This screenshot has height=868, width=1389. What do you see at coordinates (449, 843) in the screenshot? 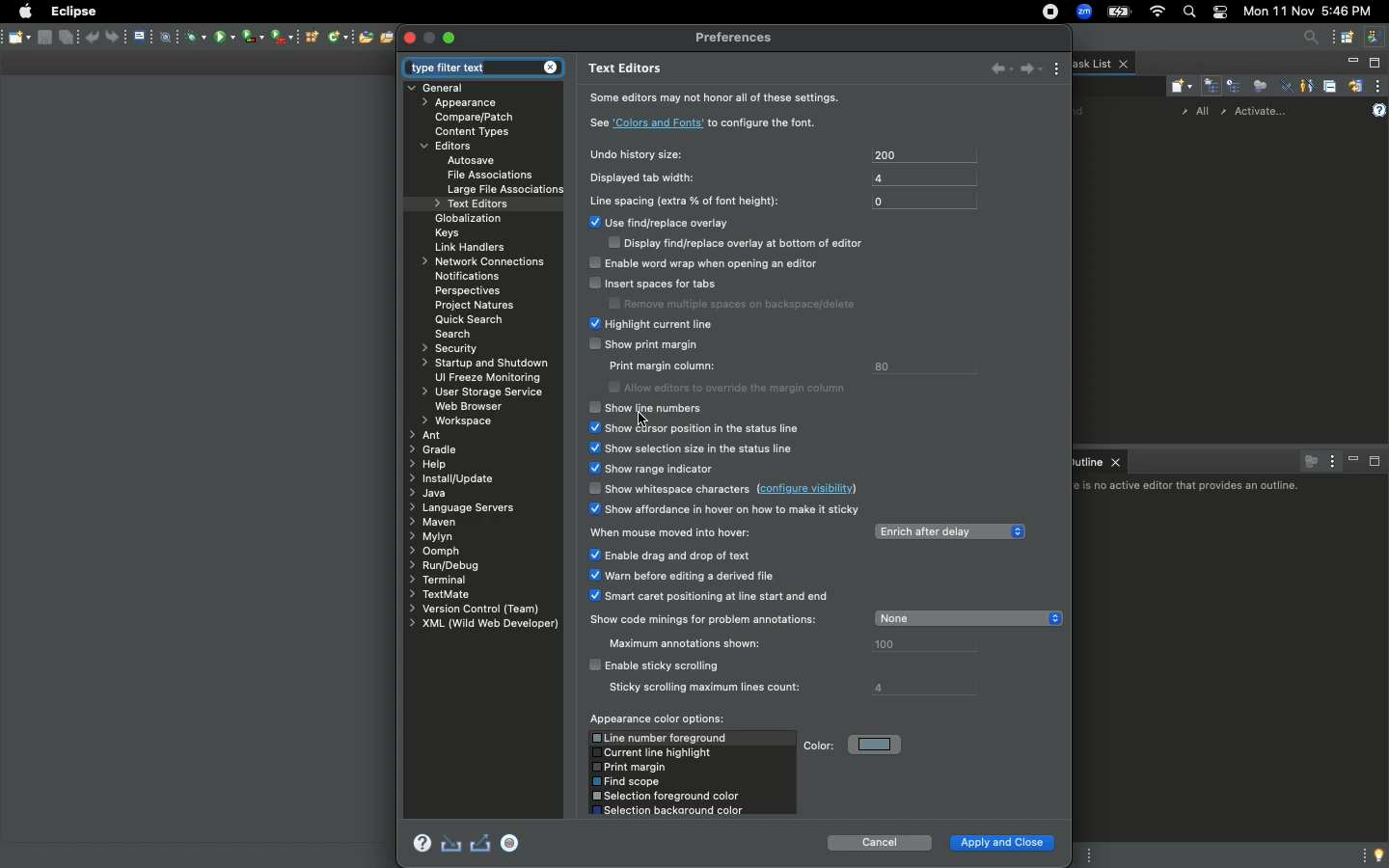
I see `Import` at bounding box center [449, 843].